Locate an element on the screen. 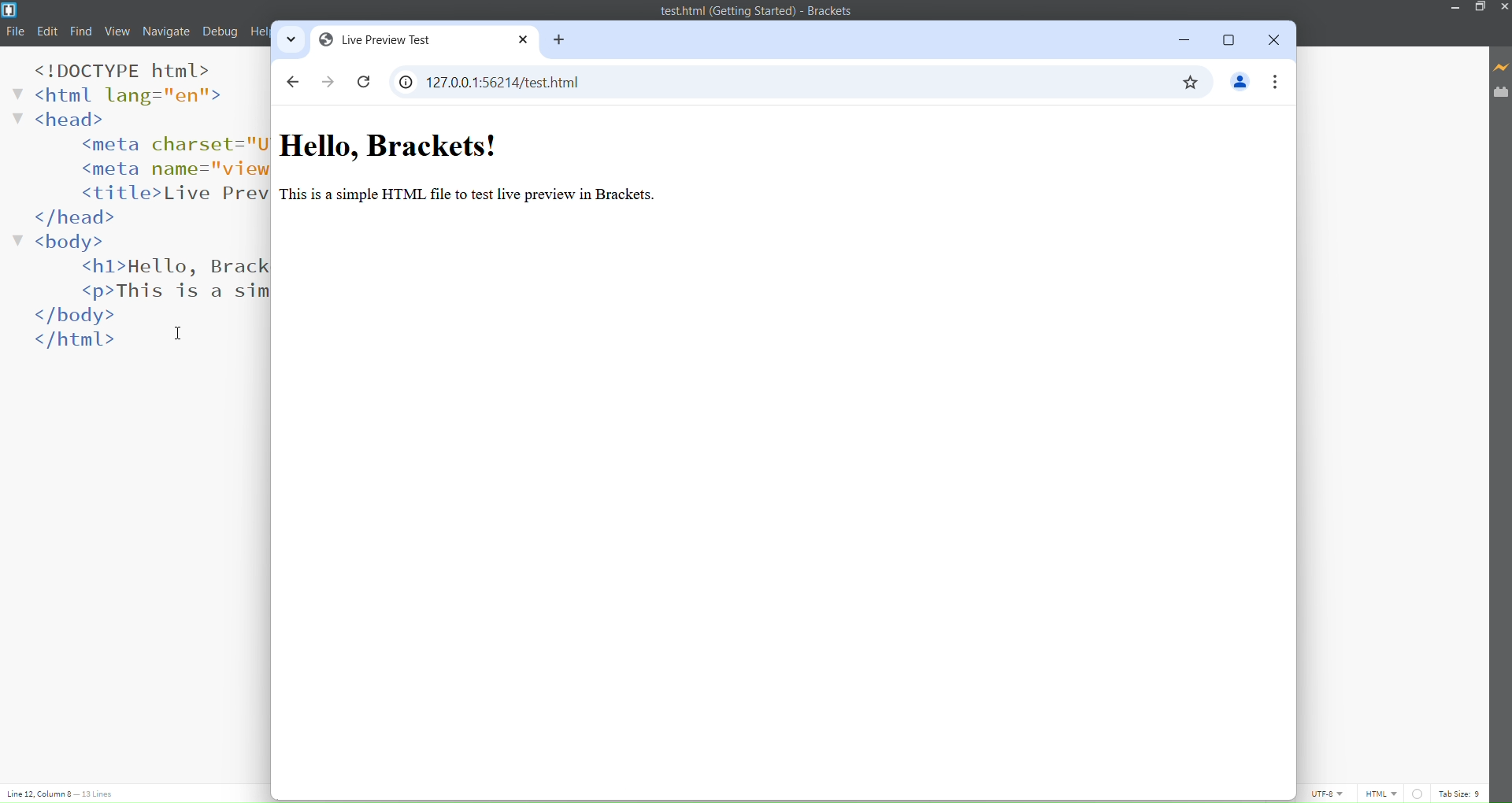 Image resolution: width=1512 pixels, height=803 pixels. View Site Information is located at coordinates (406, 84).